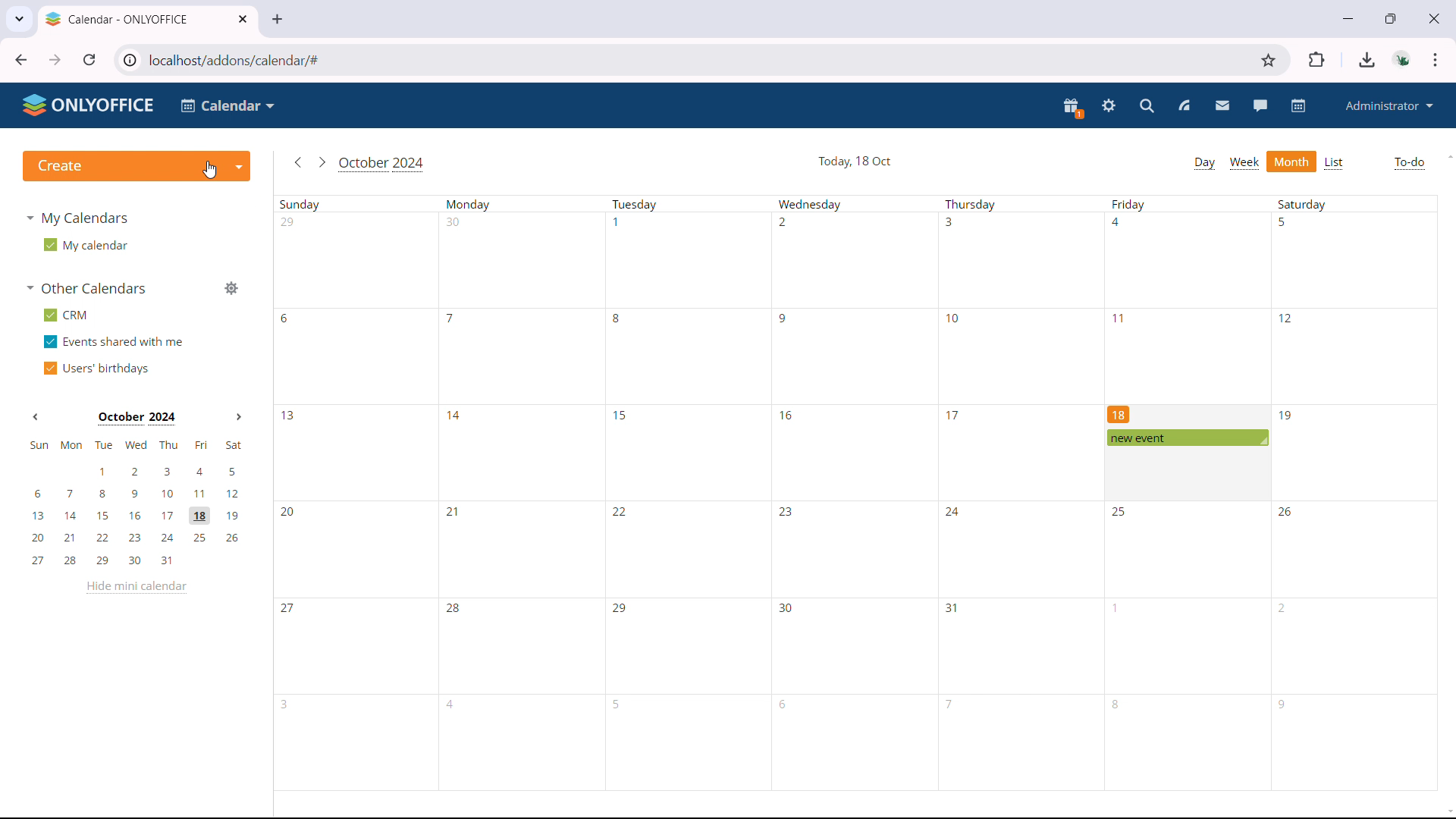 This screenshot has height=819, width=1456. Describe the element at coordinates (469, 205) in the screenshot. I see `Monday` at that location.